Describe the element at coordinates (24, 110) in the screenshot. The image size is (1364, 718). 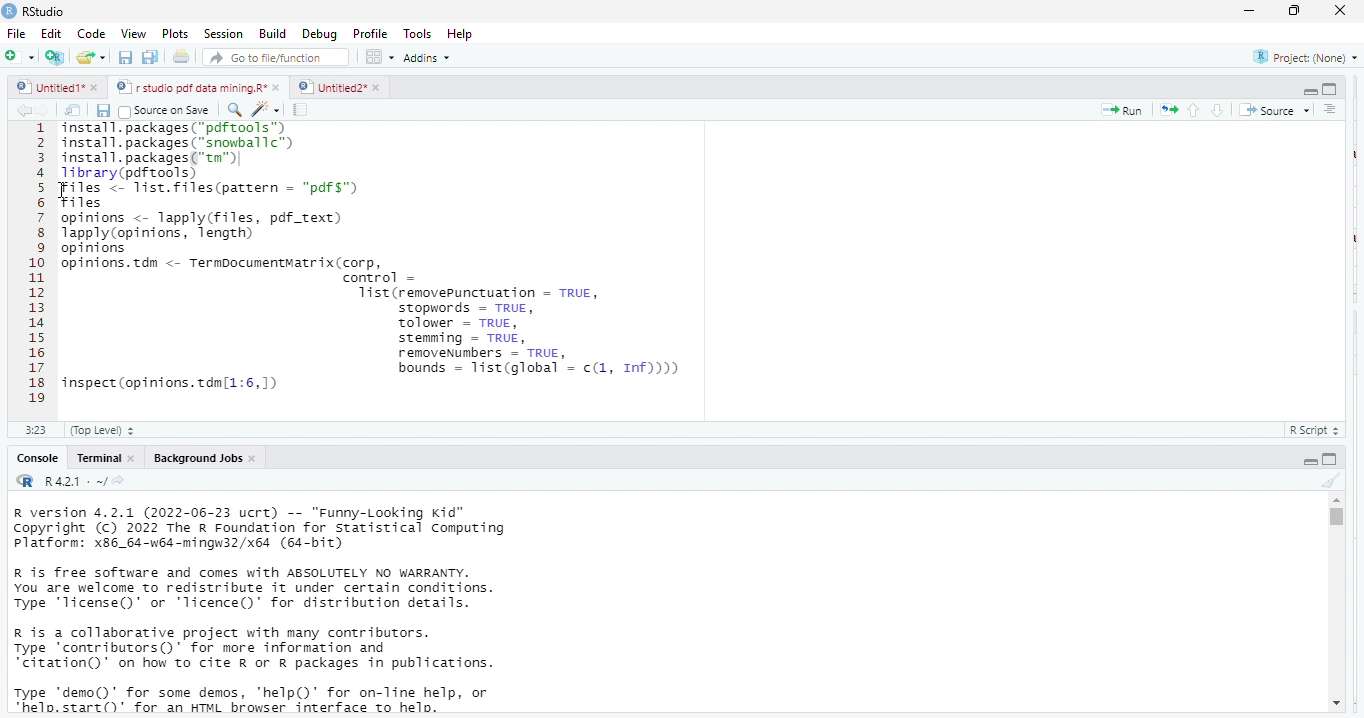
I see `go back to the previous source location` at that location.